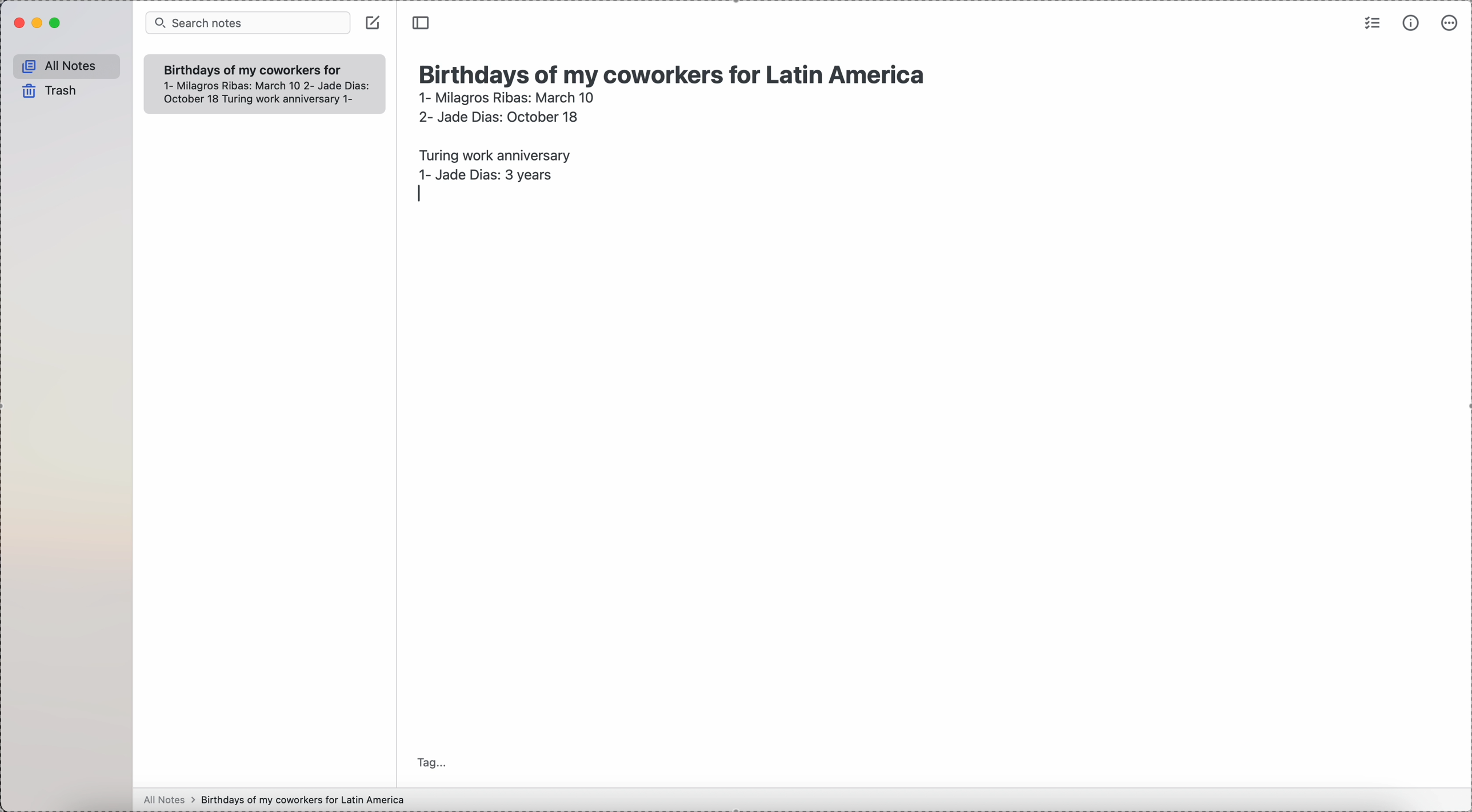 The width and height of the screenshot is (1472, 812). Describe the element at coordinates (39, 24) in the screenshot. I see `minimize Simplenote` at that location.